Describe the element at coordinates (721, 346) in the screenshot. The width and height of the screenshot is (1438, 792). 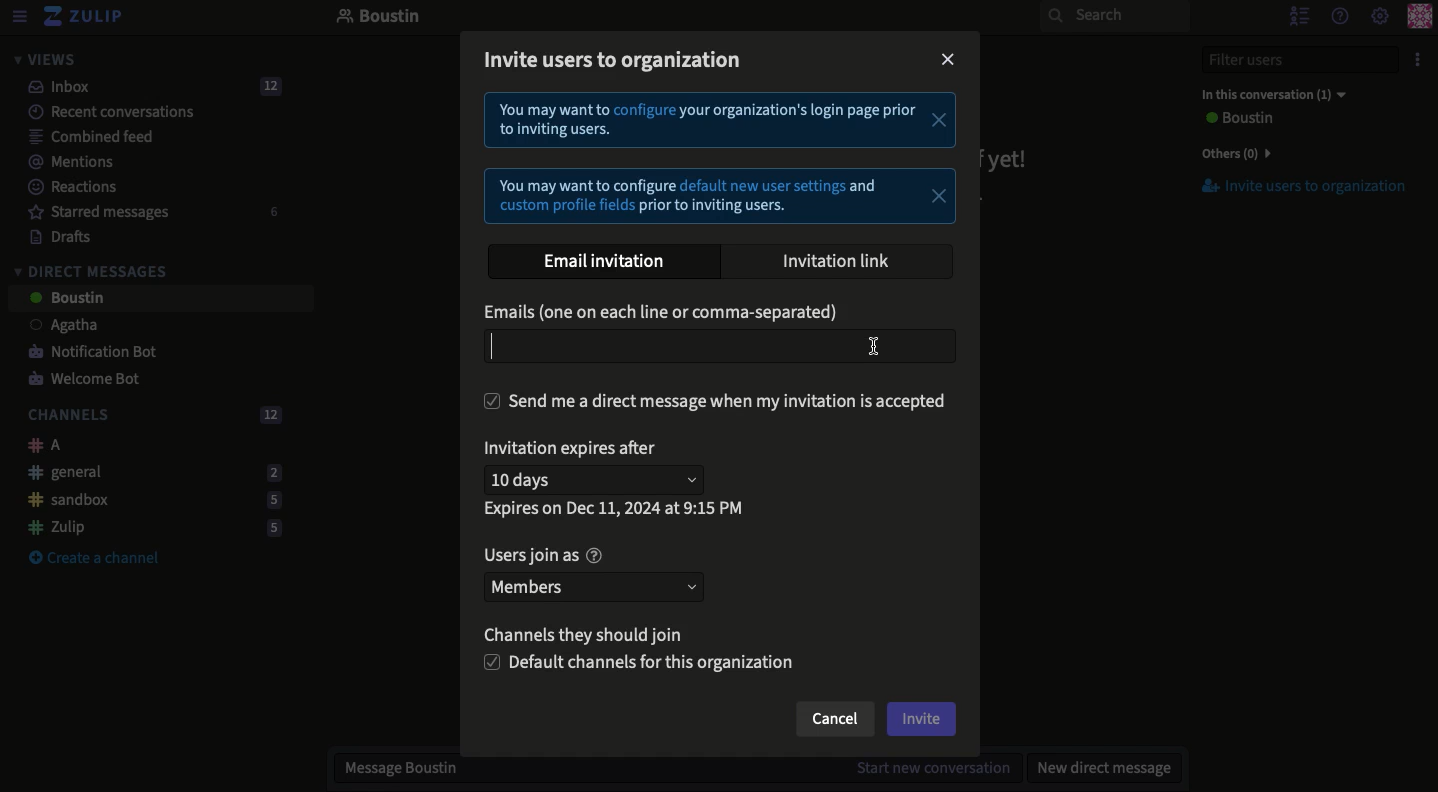
I see `Typing` at that location.